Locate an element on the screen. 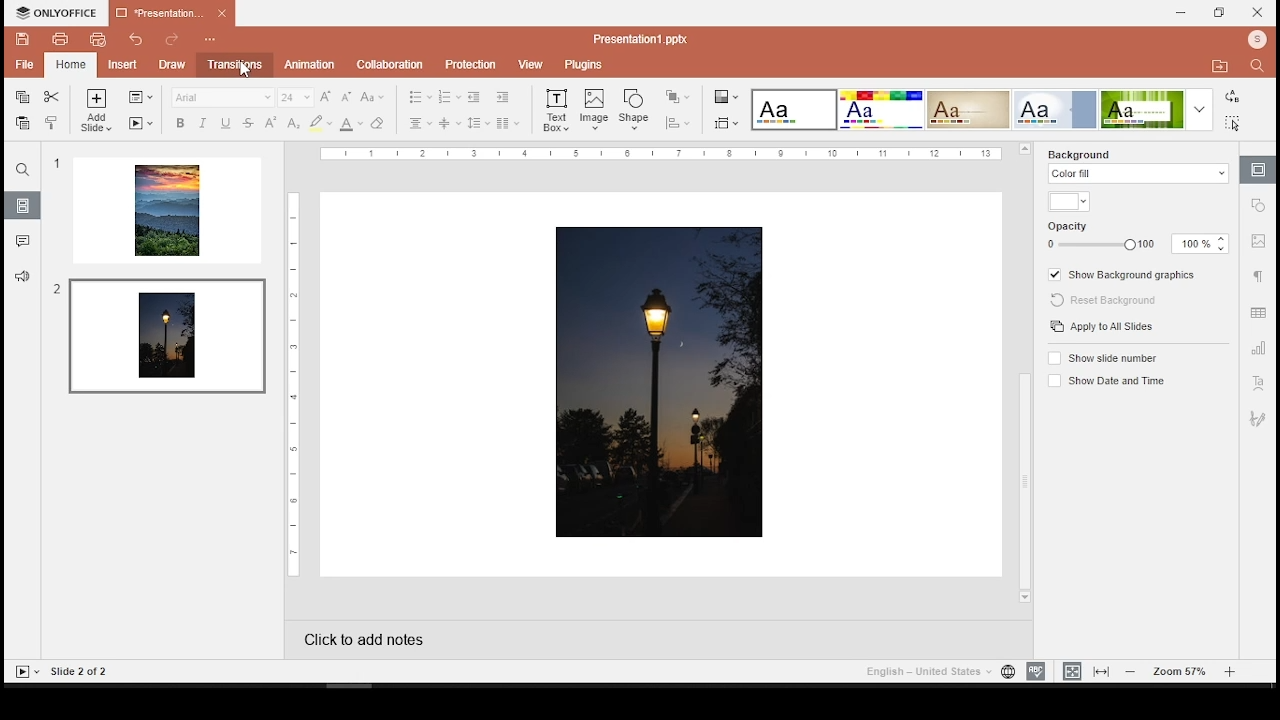 The width and height of the screenshot is (1280, 720). click to add notes is located at coordinates (384, 639).